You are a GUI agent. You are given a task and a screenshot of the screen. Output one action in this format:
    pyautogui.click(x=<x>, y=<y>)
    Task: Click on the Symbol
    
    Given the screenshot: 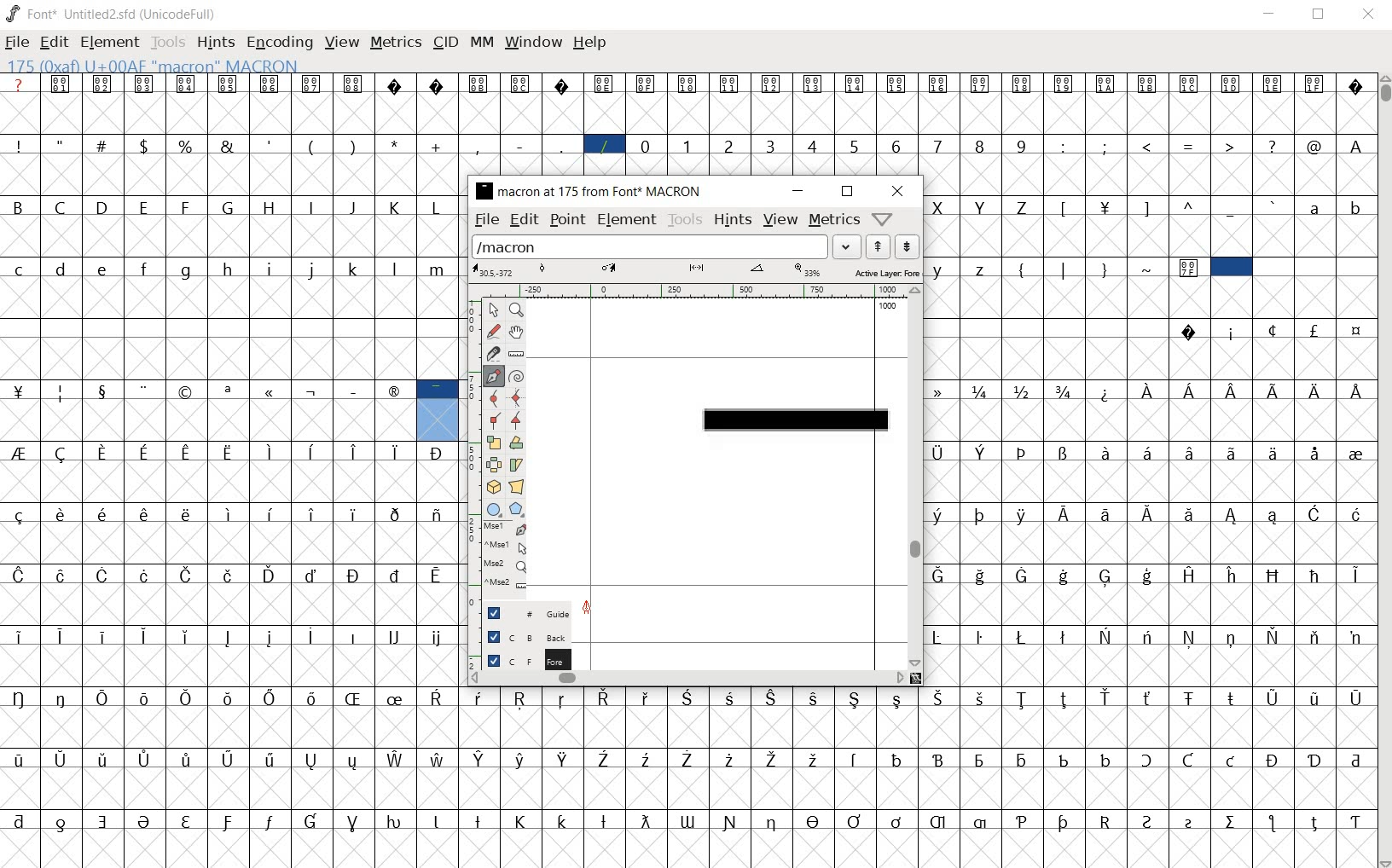 What is the action you would take?
    pyautogui.click(x=105, y=759)
    